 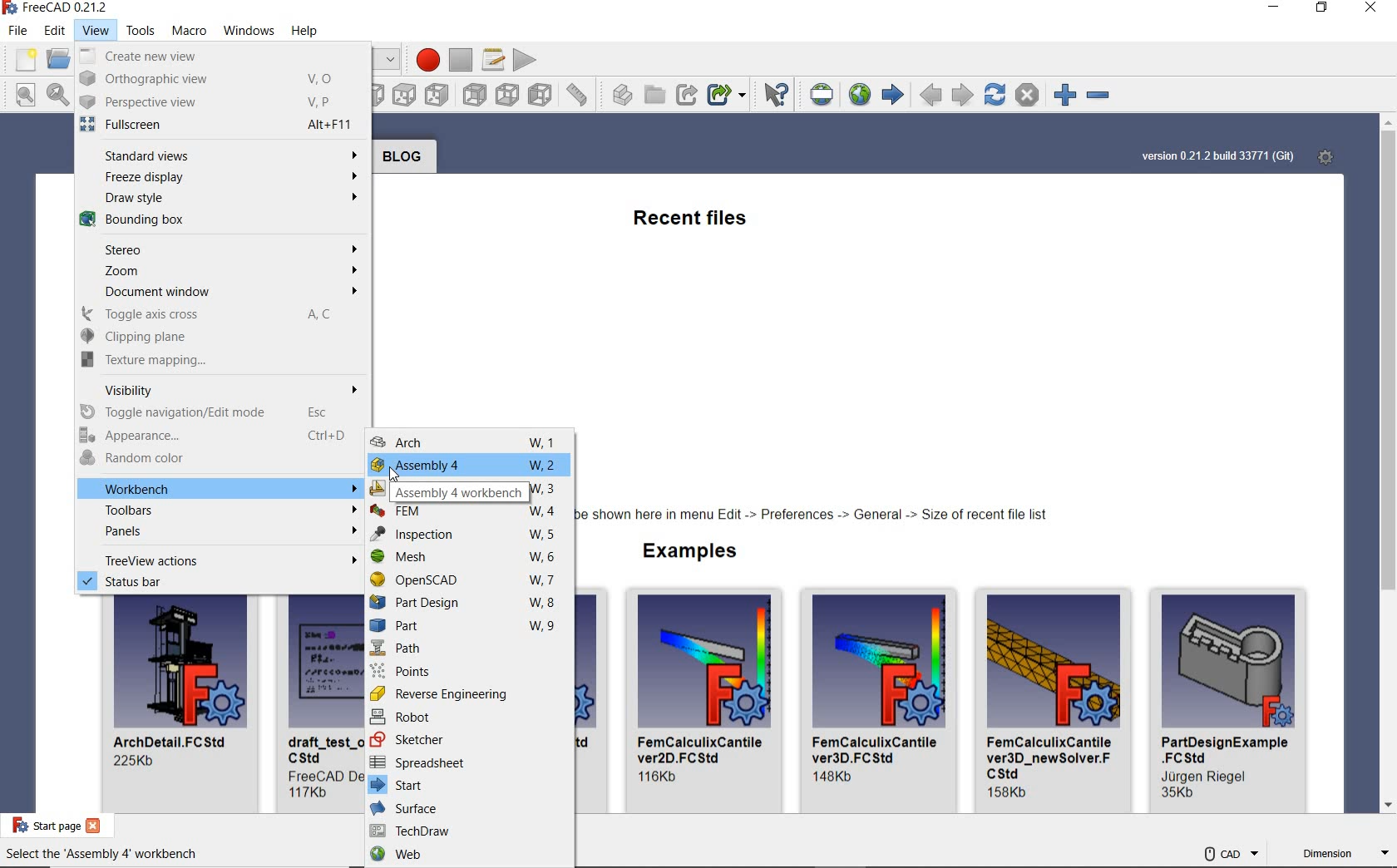 I want to click on spreadsheet, so click(x=467, y=762).